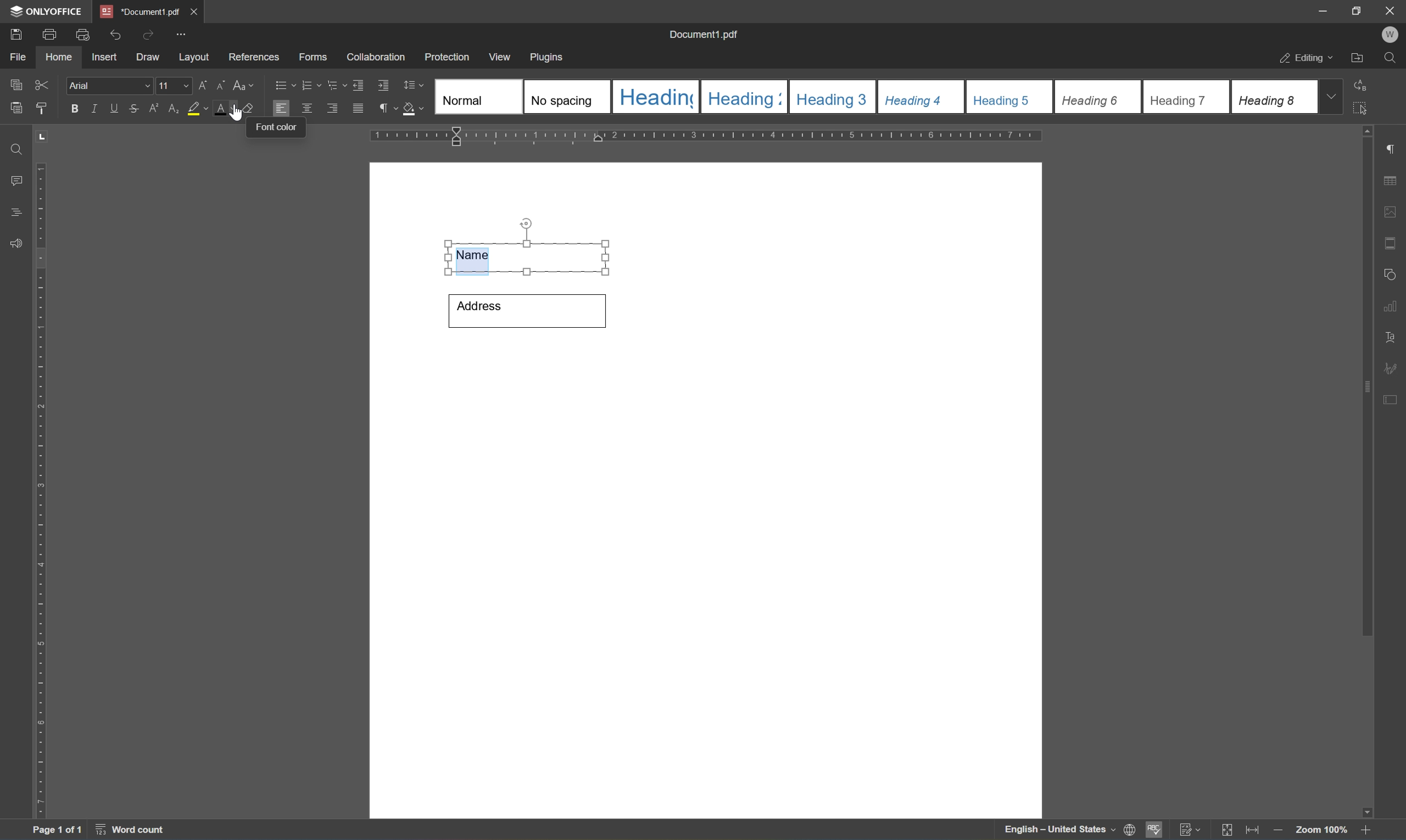 The image size is (1406, 840). What do you see at coordinates (174, 85) in the screenshot?
I see `font size` at bounding box center [174, 85].